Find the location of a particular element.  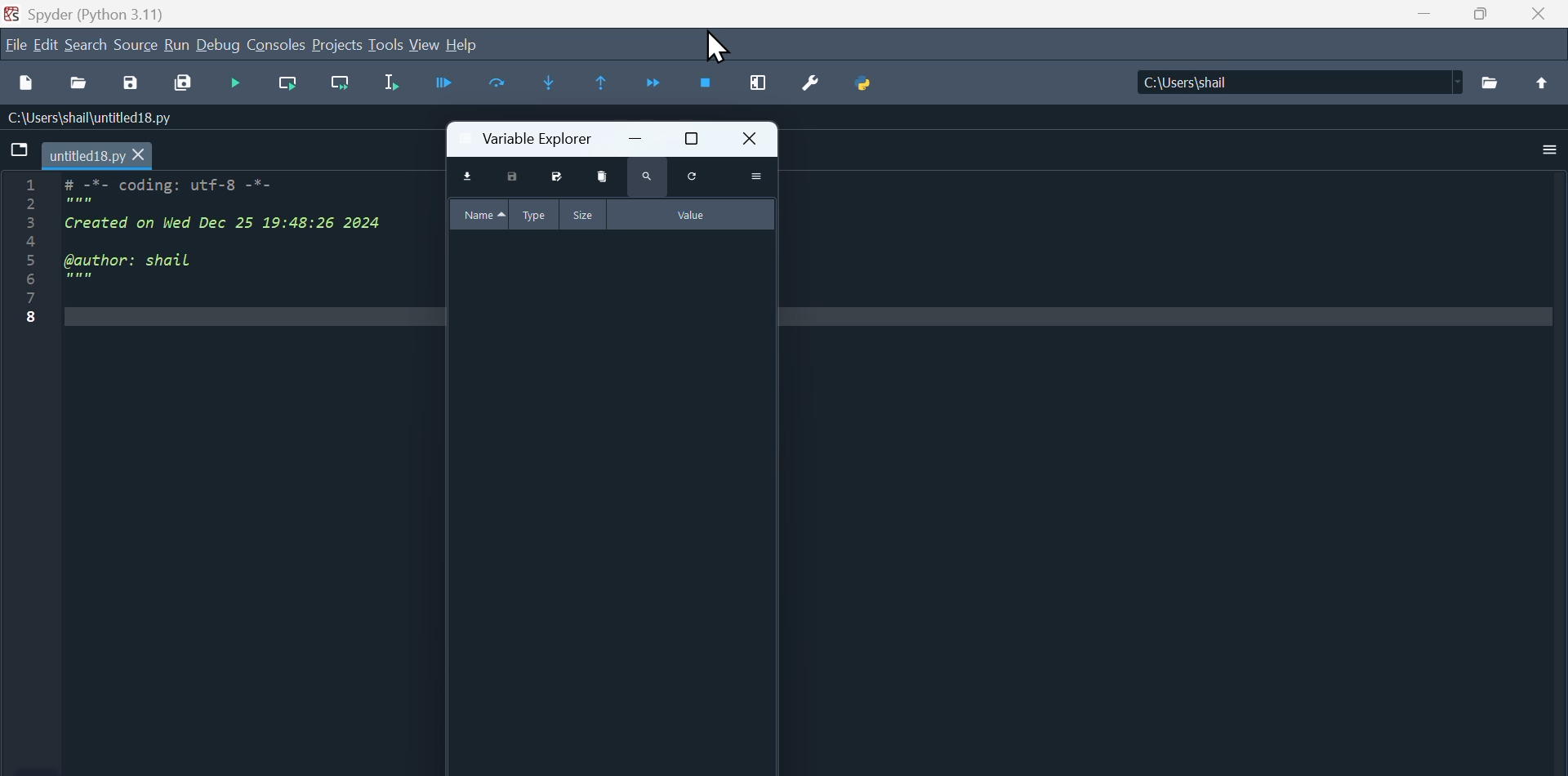

untitled18.py is located at coordinates (103, 156).